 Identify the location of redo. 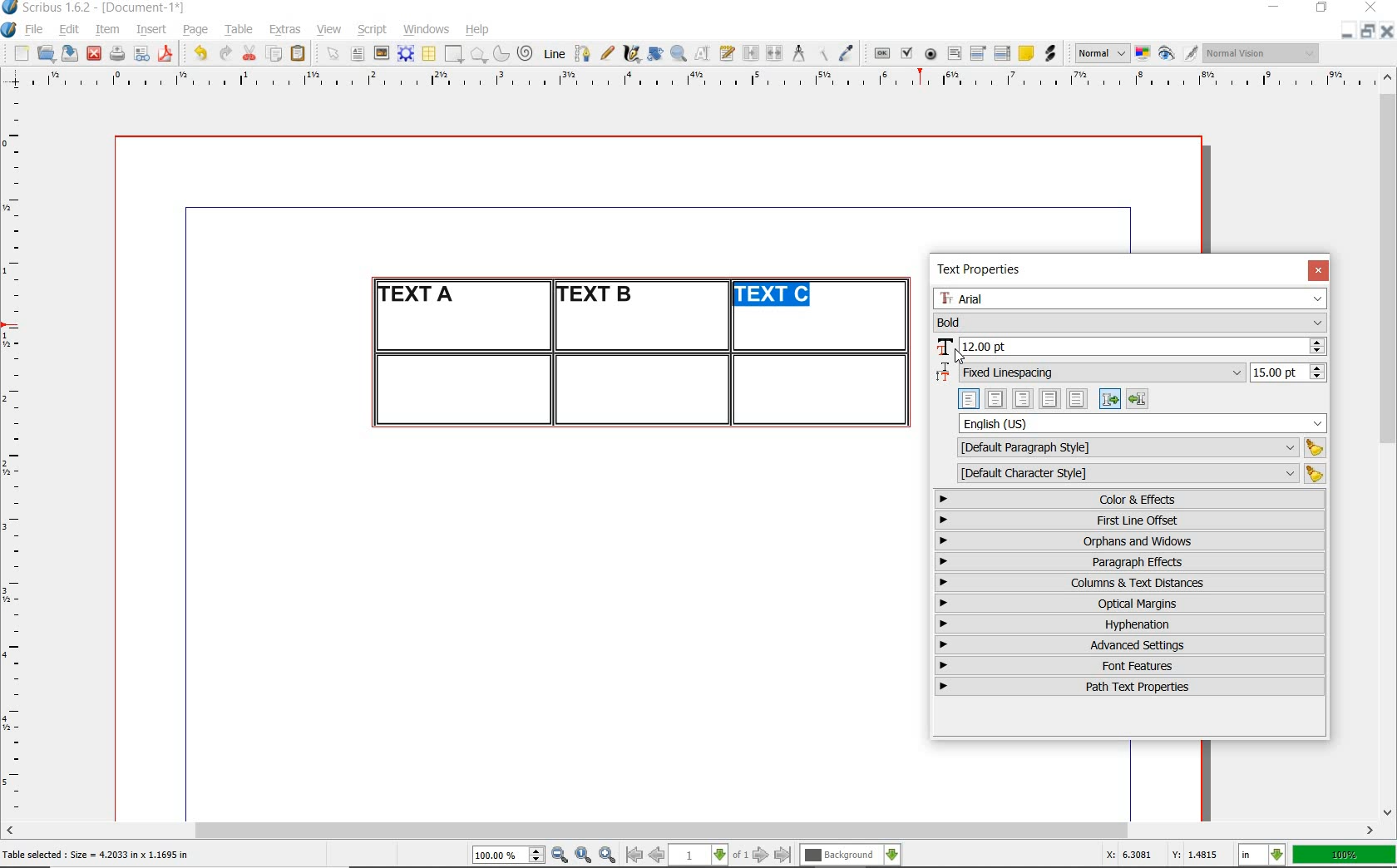
(224, 52).